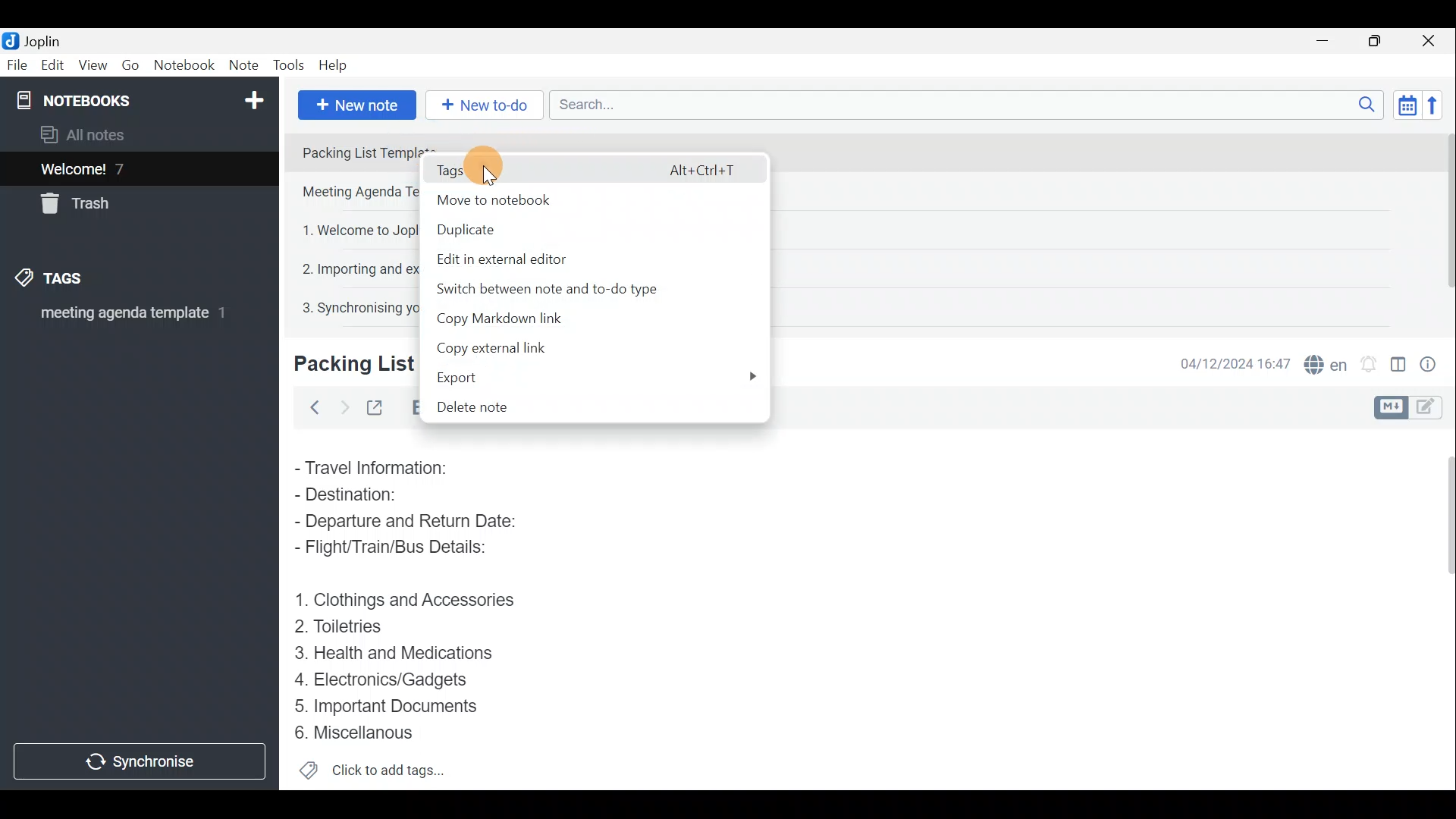 The image size is (1456, 819). What do you see at coordinates (356, 103) in the screenshot?
I see `New note` at bounding box center [356, 103].